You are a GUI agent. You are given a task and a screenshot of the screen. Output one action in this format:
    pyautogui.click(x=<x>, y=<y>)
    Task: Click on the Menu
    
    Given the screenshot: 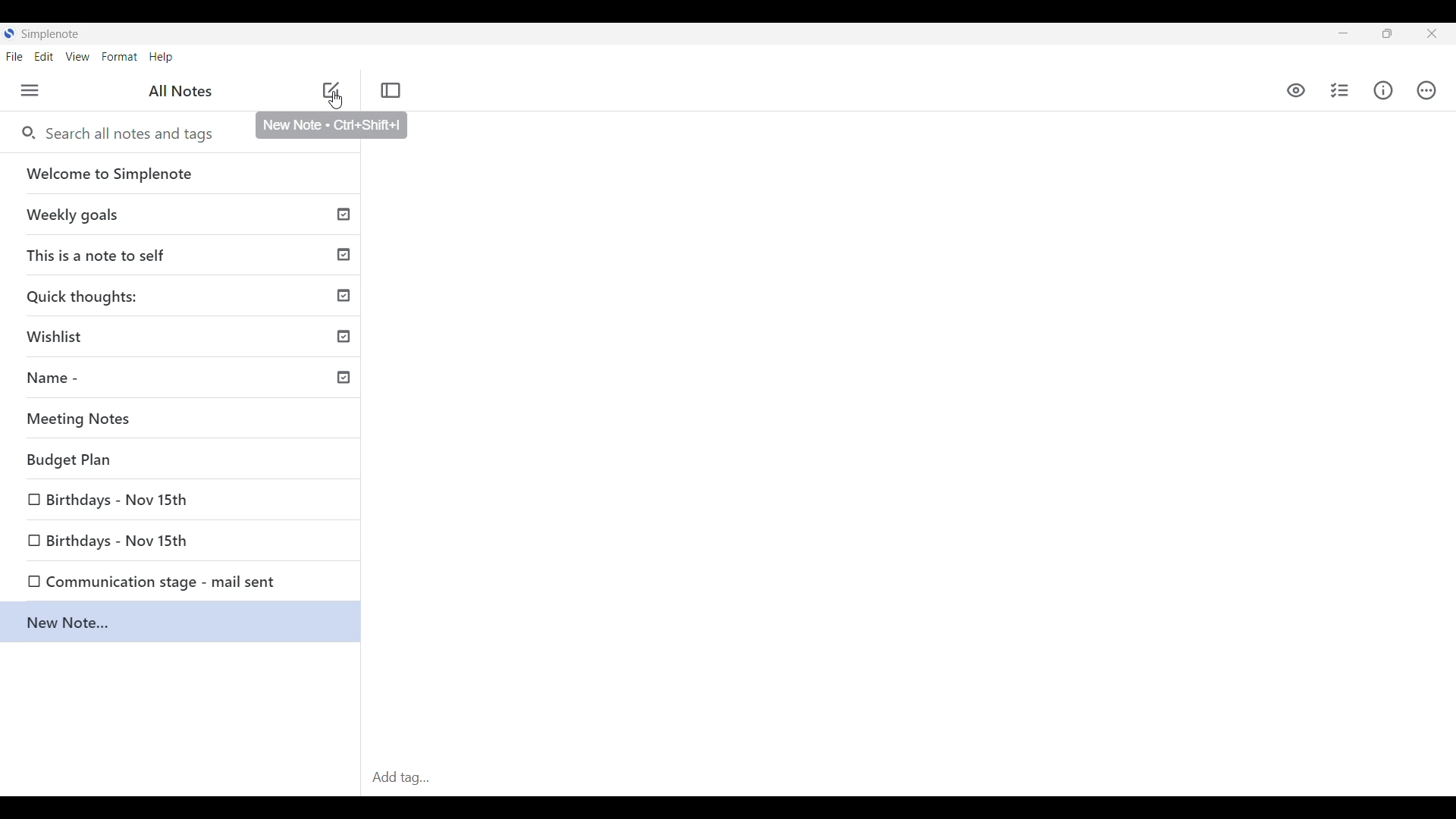 What is the action you would take?
    pyautogui.click(x=30, y=90)
    